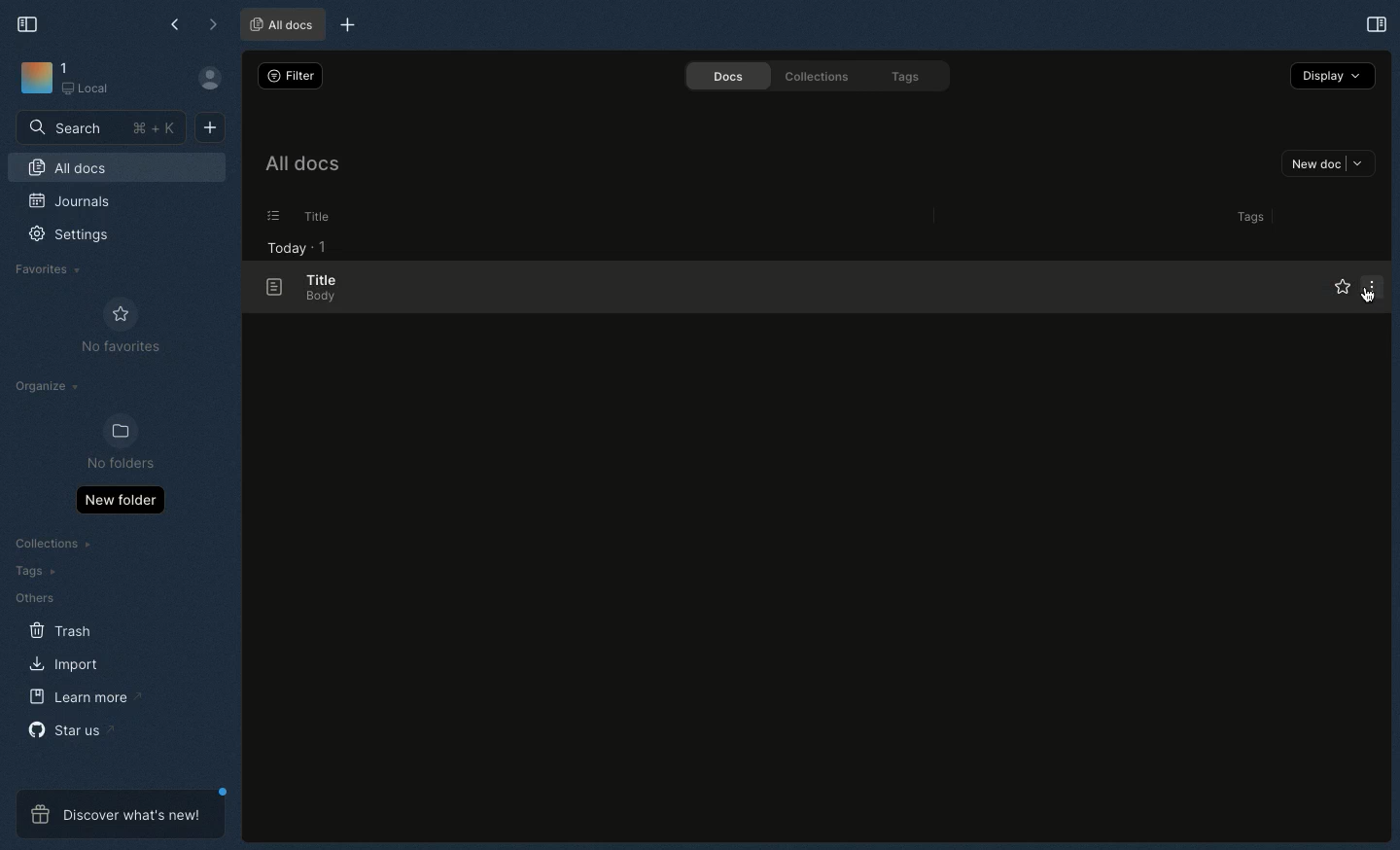 This screenshot has width=1400, height=850. What do you see at coordinates (31, 571) in the screenshot?
I see `Tags` at bounding box center [31, 571].